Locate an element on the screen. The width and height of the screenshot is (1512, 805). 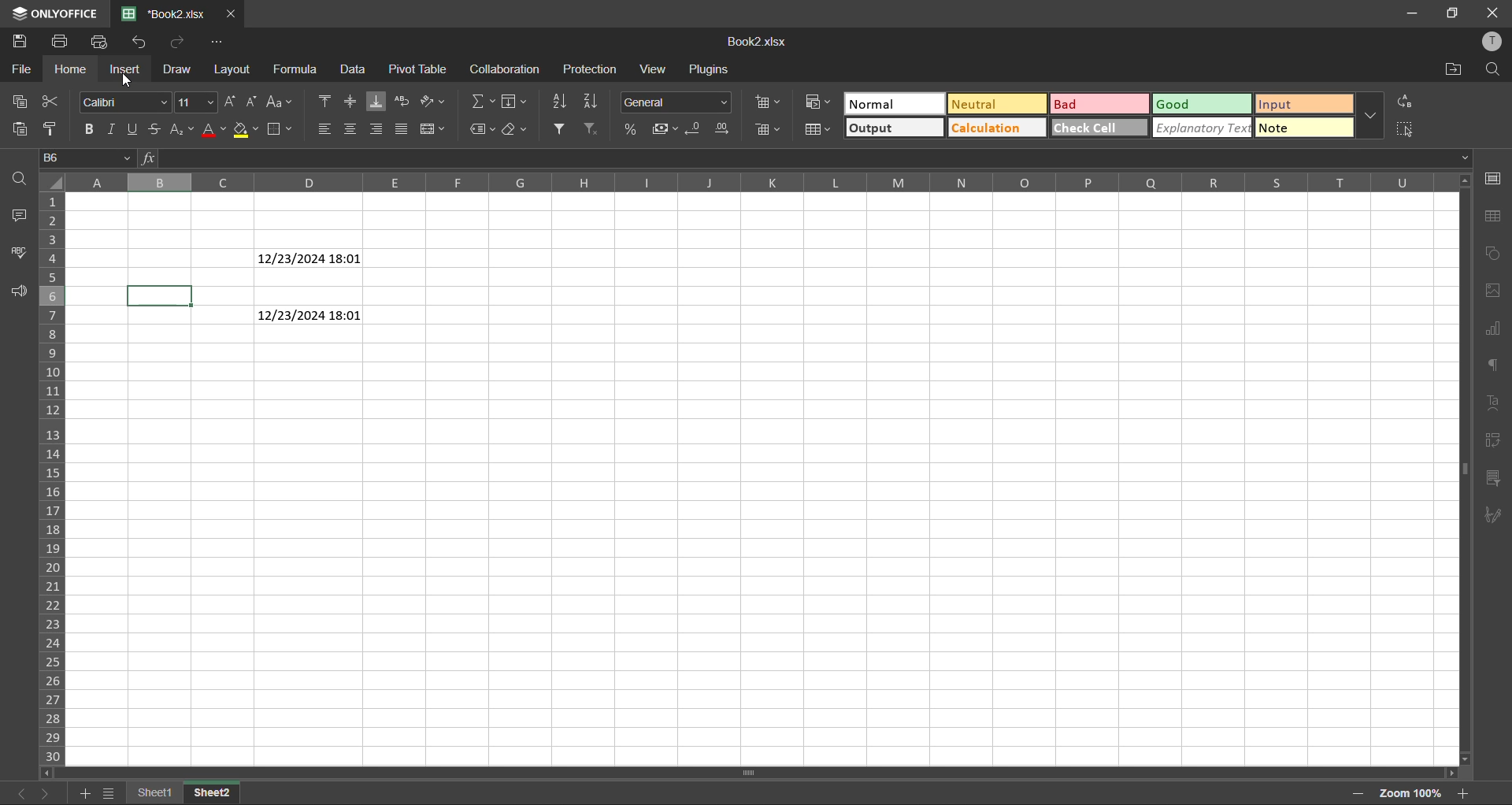
calculation is located at coordinates (999, 127).